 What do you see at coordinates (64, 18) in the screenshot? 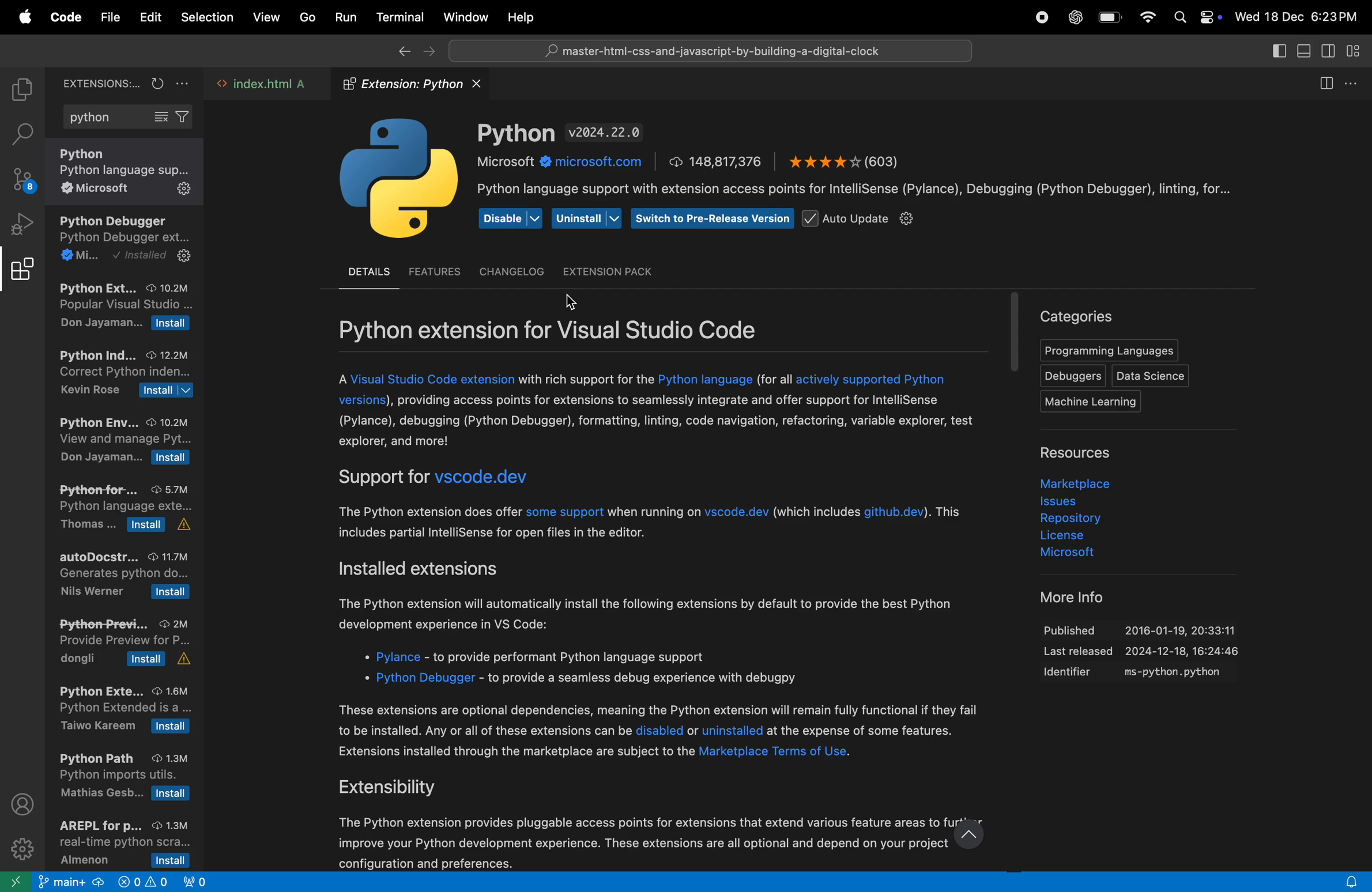
I see `code` at bounding box center [64, 18].